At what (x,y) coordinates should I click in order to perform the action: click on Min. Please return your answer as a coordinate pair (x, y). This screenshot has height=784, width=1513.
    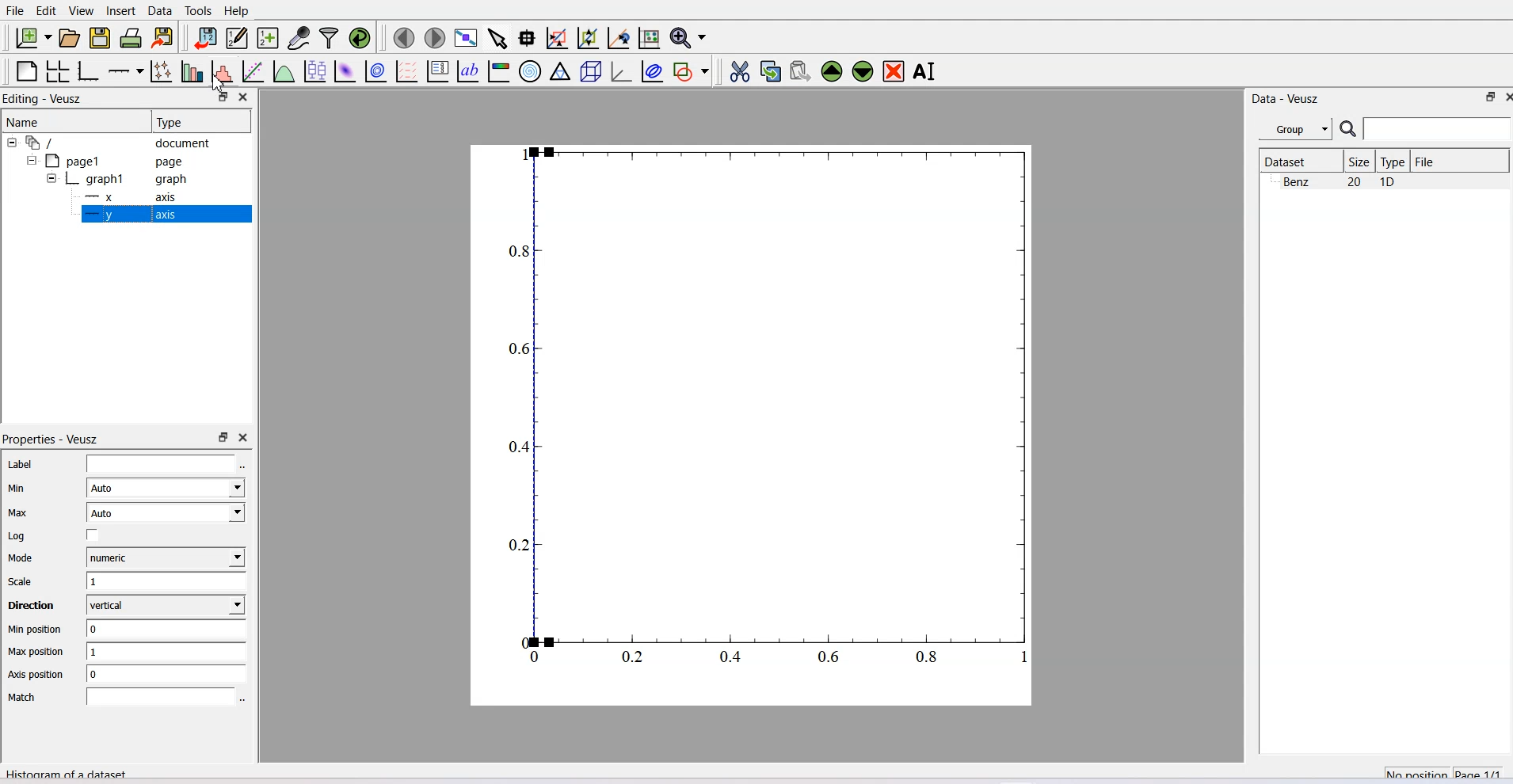
    Looking at the image, I should click on (124, 488).